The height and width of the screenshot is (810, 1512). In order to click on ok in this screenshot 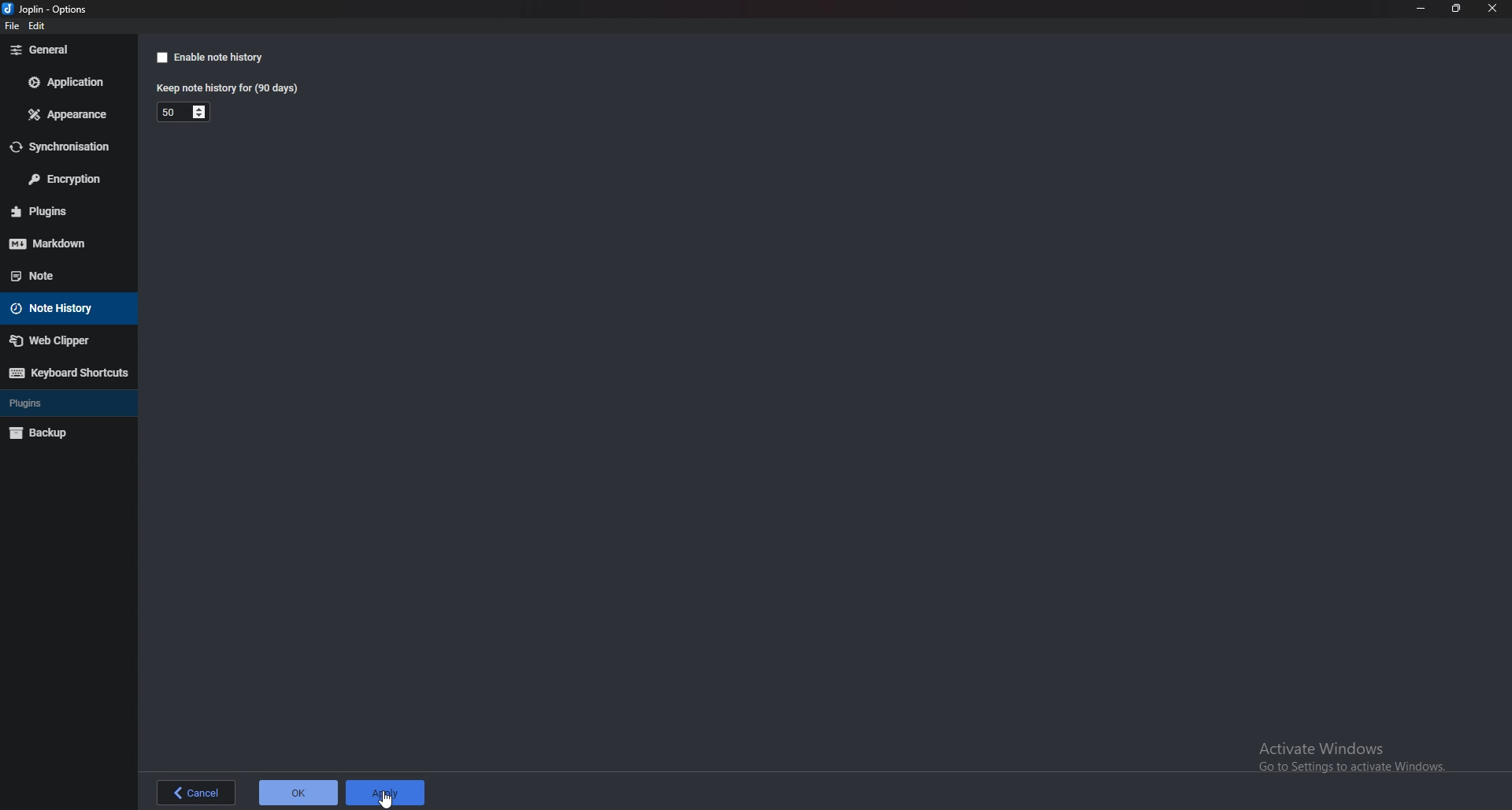, I will do `click(298, 793)`.